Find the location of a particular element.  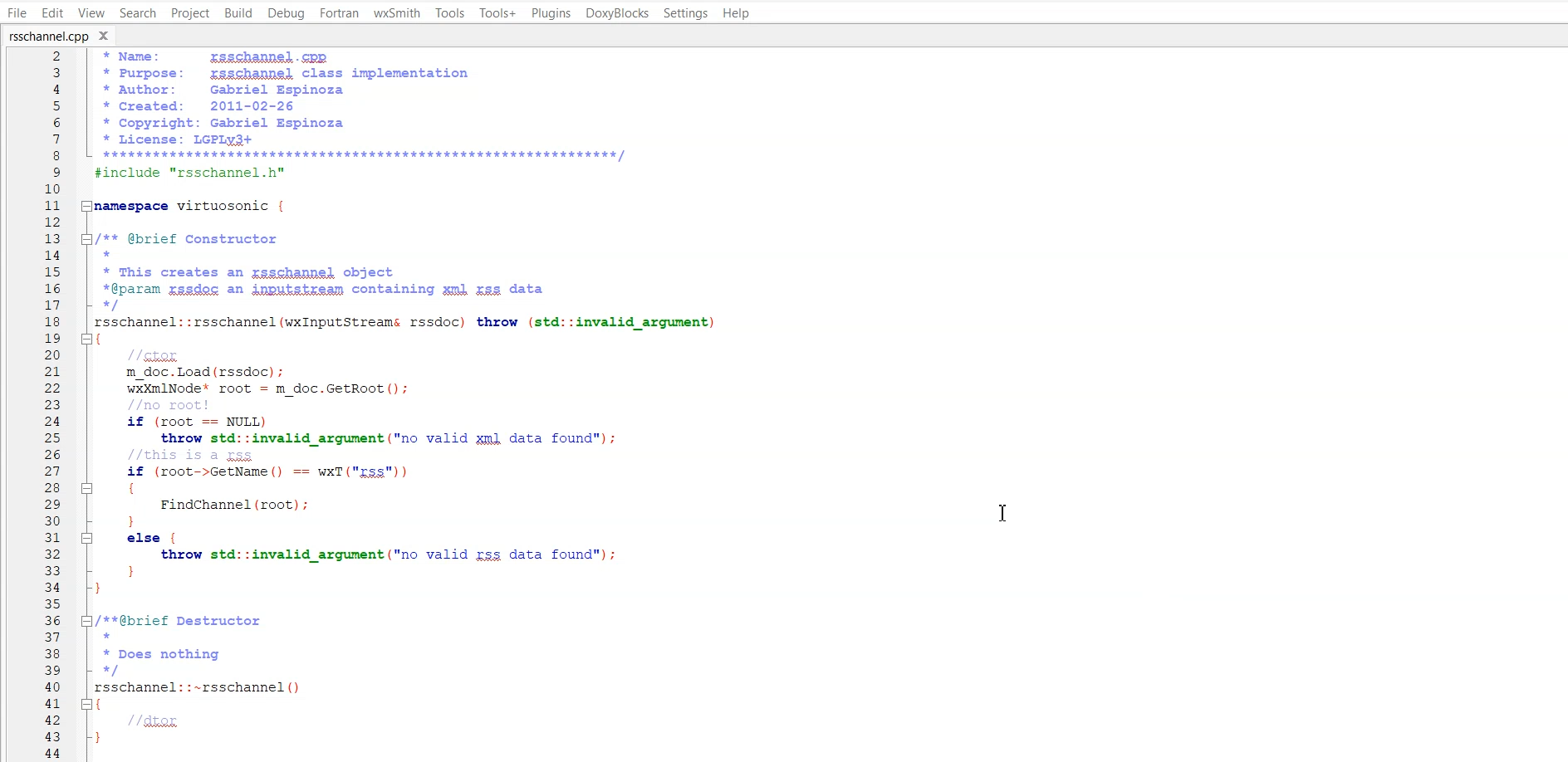

Text Cursor is located at coordinates (1004, 513).